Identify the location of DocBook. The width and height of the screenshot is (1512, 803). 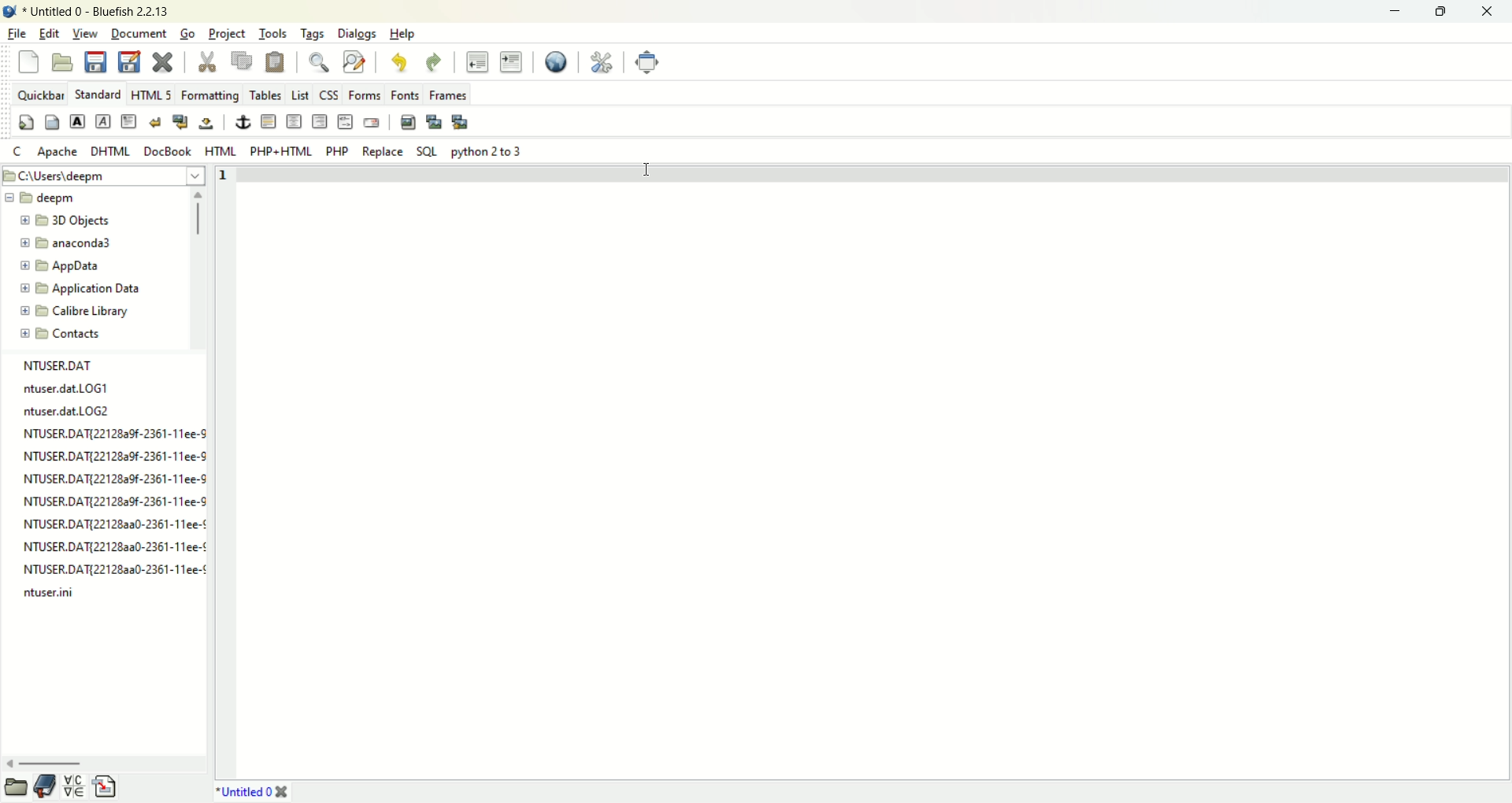
(167, 151).